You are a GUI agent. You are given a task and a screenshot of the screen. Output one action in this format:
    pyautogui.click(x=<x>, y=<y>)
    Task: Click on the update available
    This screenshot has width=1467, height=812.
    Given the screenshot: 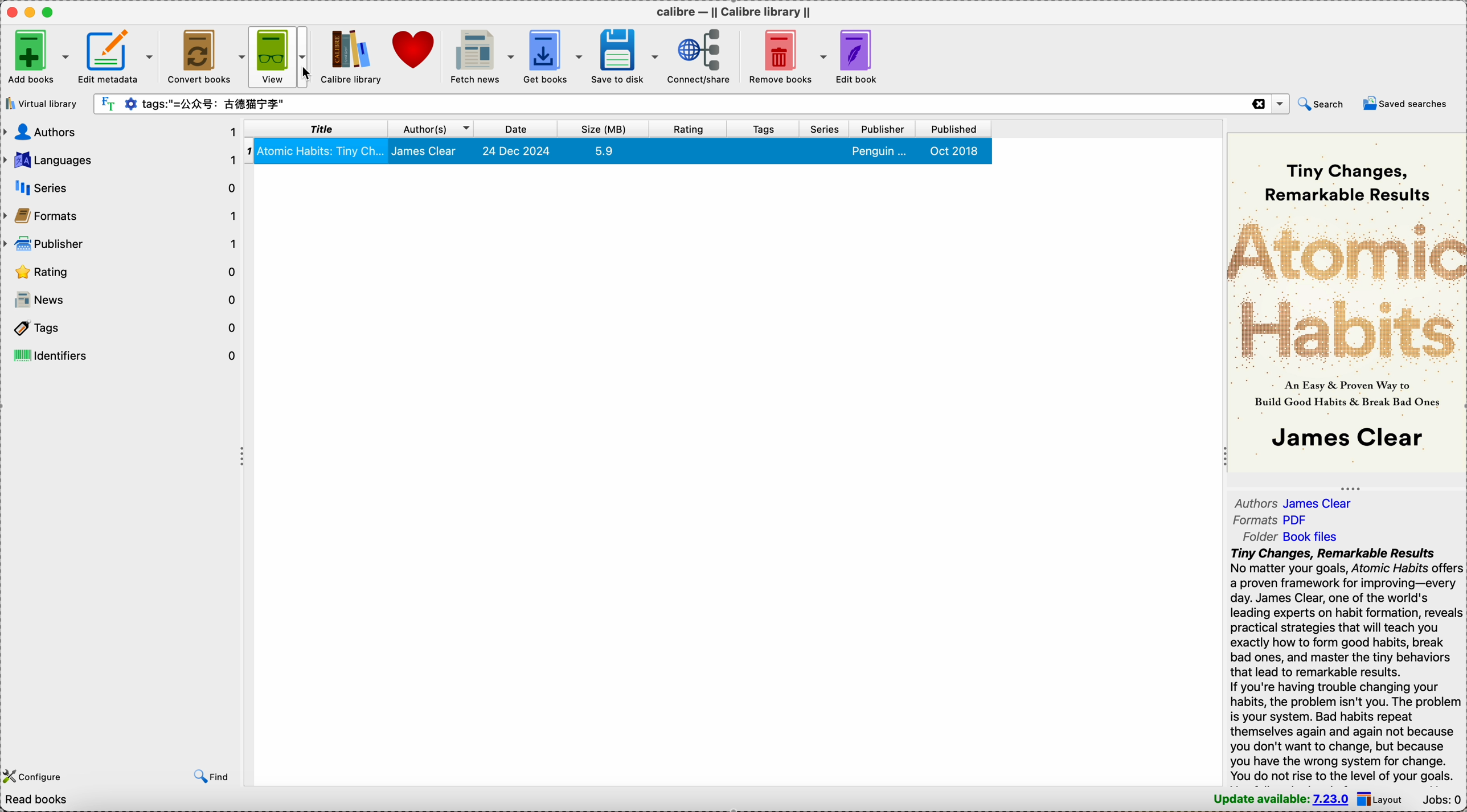 What is the action you would take?
    pyautogui.click(x=1280, y=799)
    